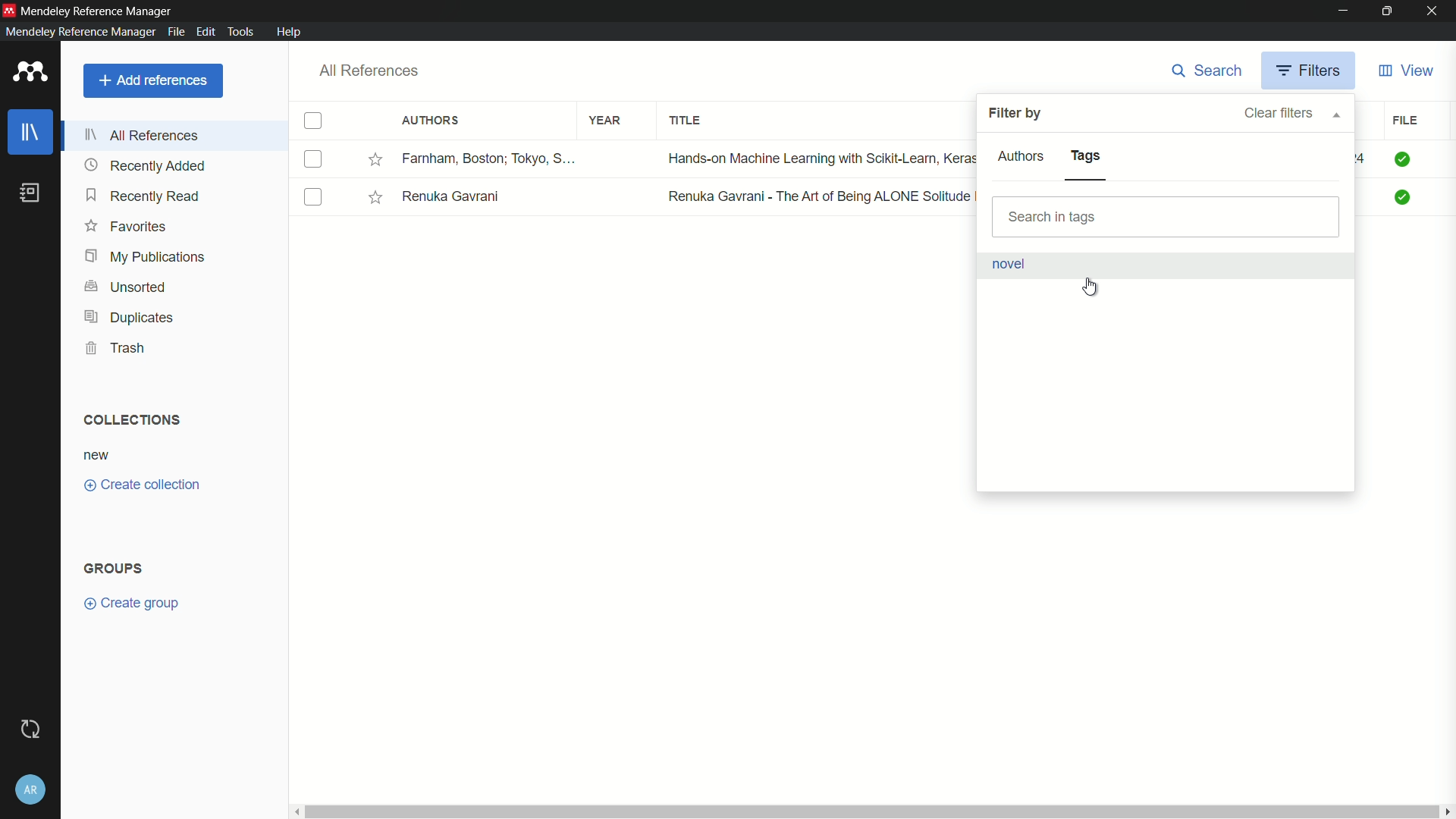 This screenshot has width=1456, height=819. What do you see at coordinates (1435, 11) in the screenshot?
I see `close app` at bounding box center [1435, 11].